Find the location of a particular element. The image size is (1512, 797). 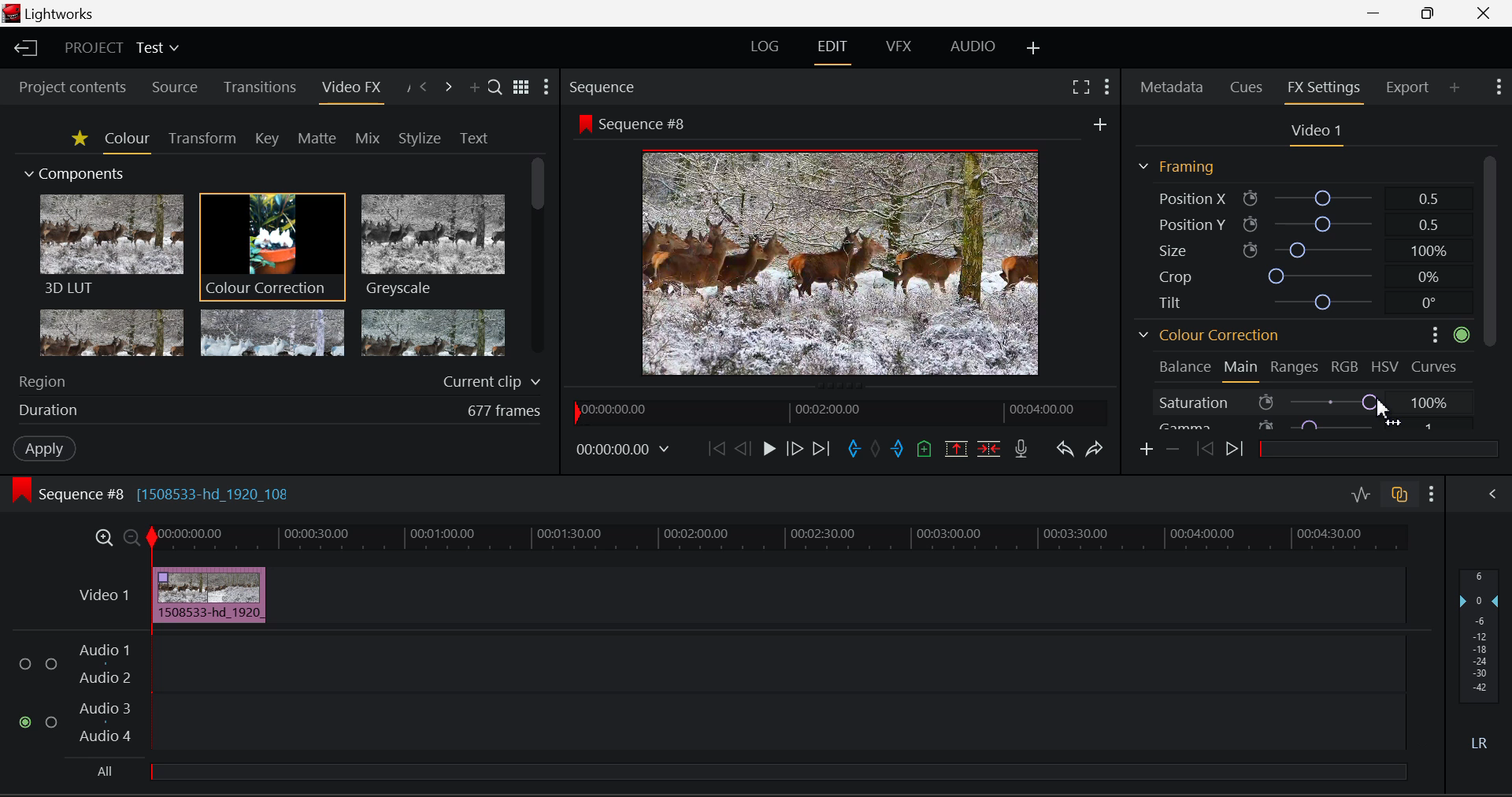

Preview Screen Altered is located at coordinates (835, 260).